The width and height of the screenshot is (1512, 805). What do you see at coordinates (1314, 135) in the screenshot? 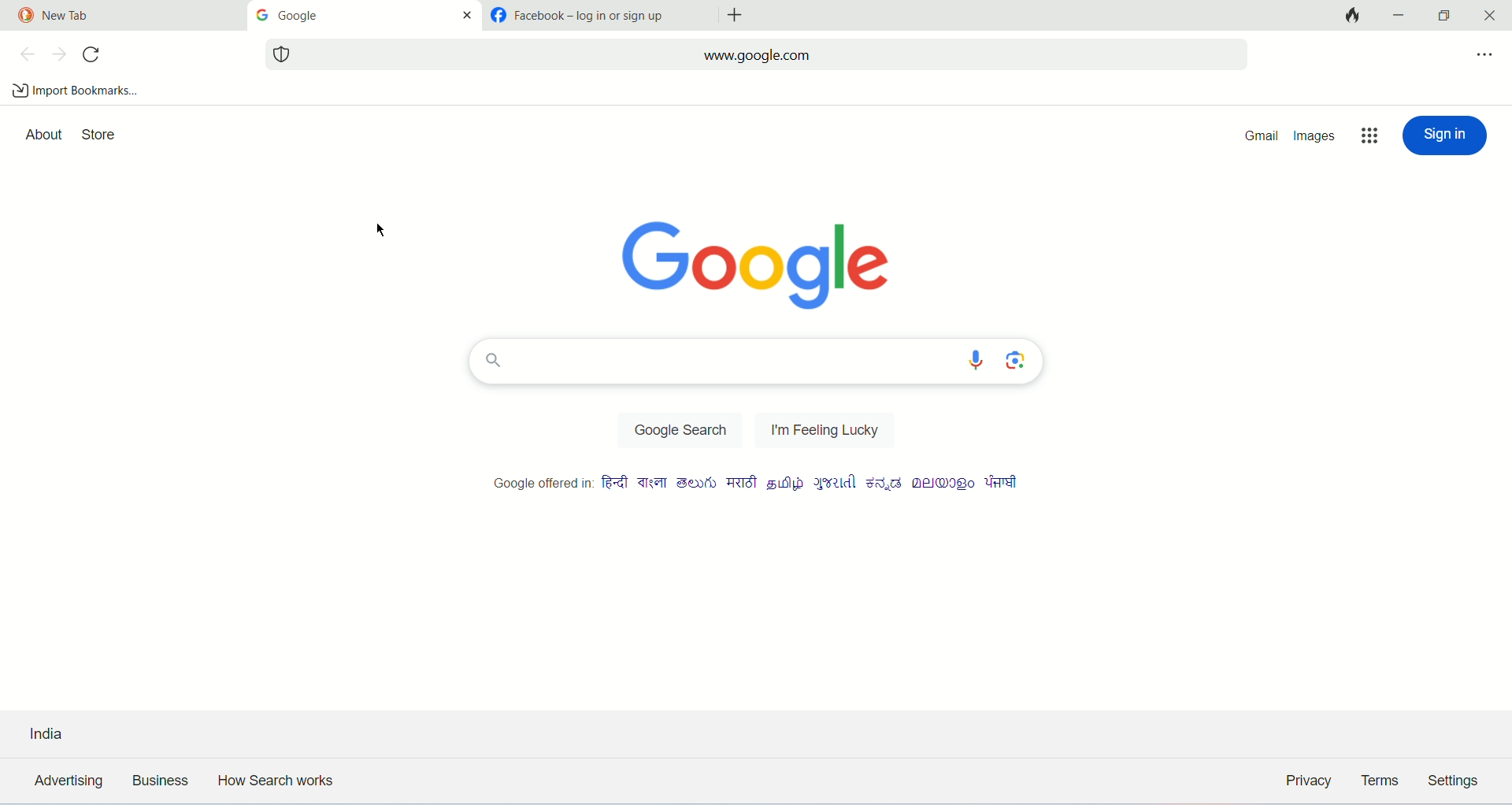
I see `images` at bounding box center [1314, 135].